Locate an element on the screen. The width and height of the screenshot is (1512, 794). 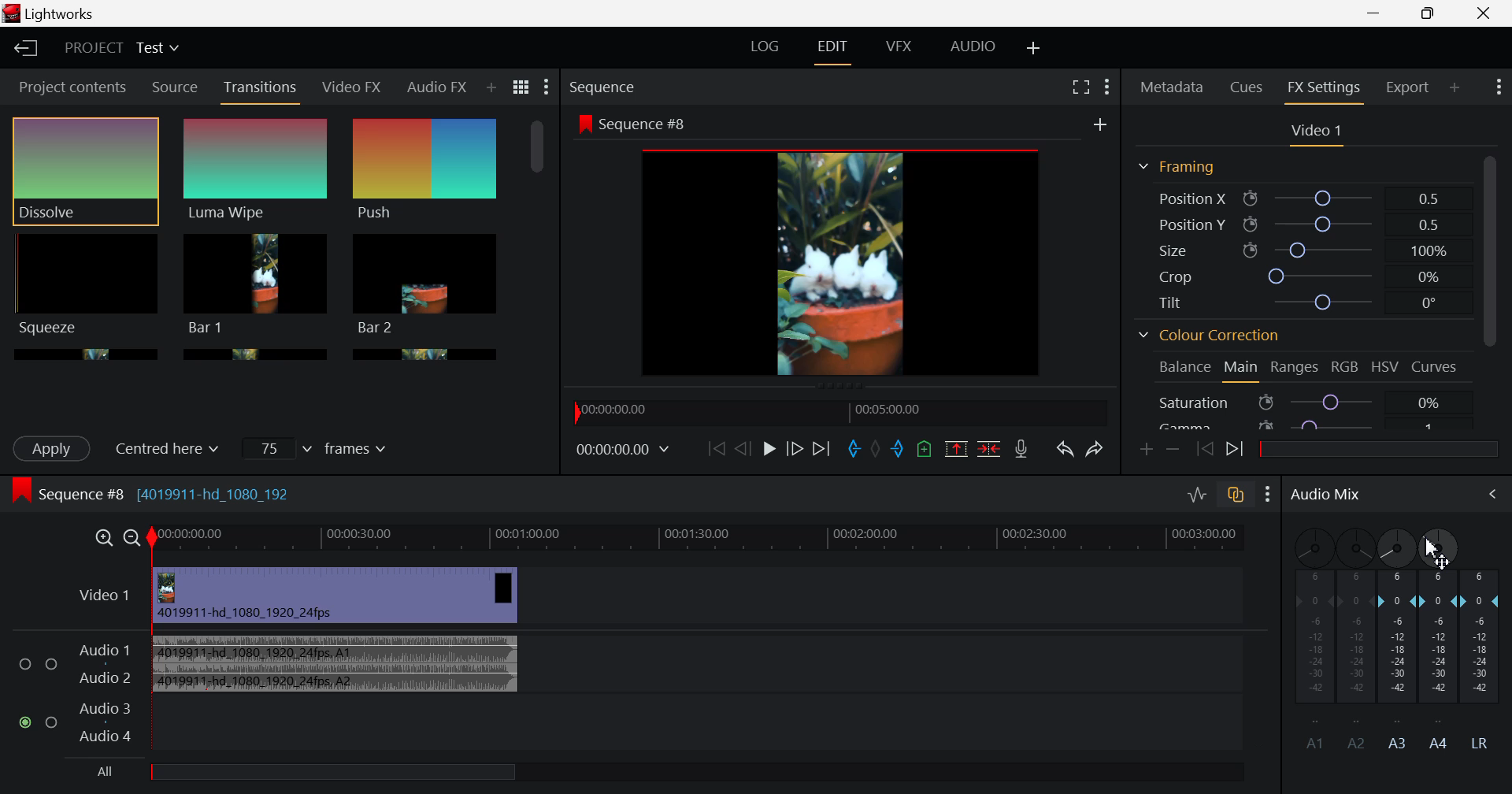
LR Decibel Level is located at coordinates (1485, 659).